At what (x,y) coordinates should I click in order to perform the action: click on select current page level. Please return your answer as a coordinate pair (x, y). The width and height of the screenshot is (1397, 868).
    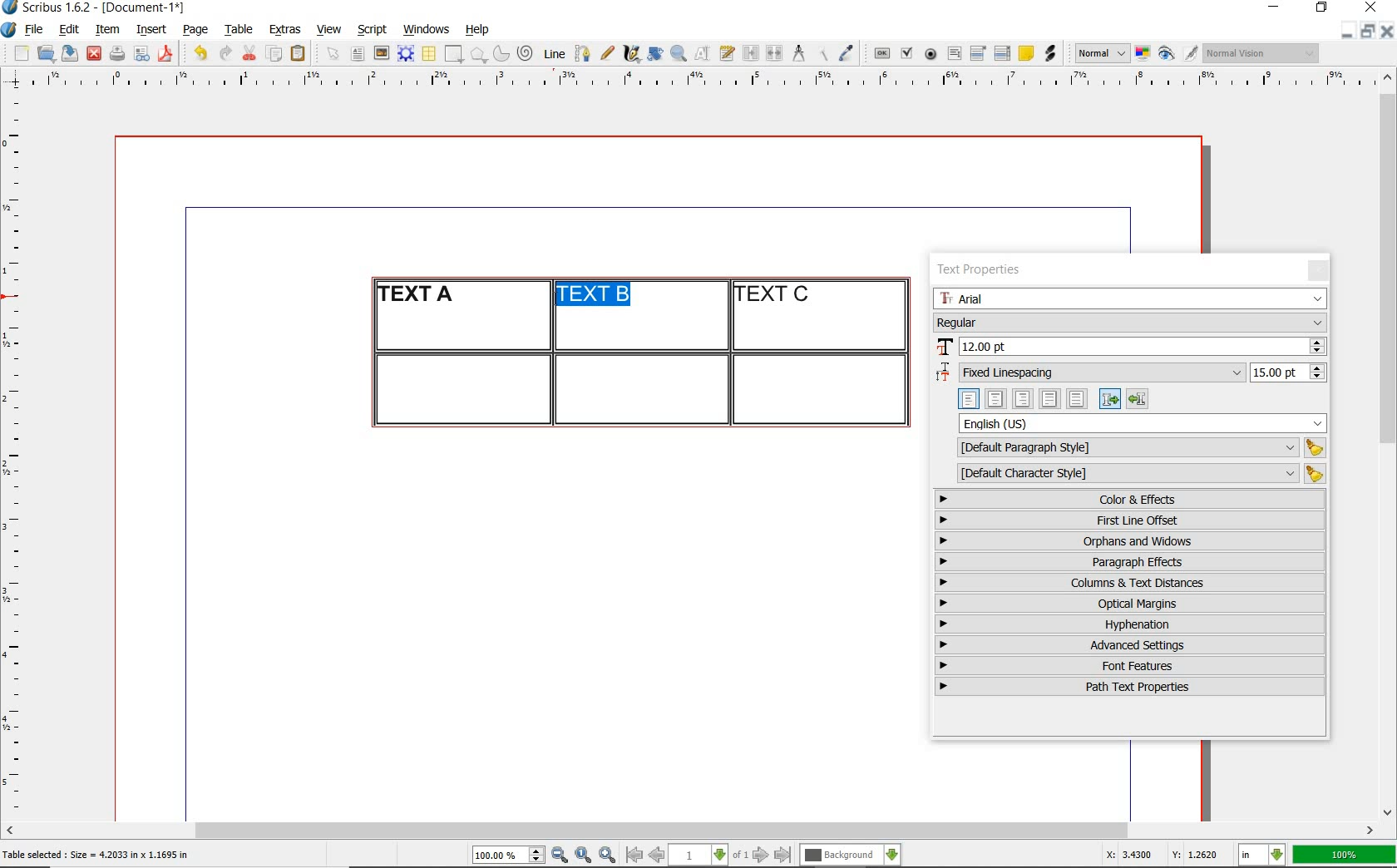
    Looking at the image, I should click on (708, 855).